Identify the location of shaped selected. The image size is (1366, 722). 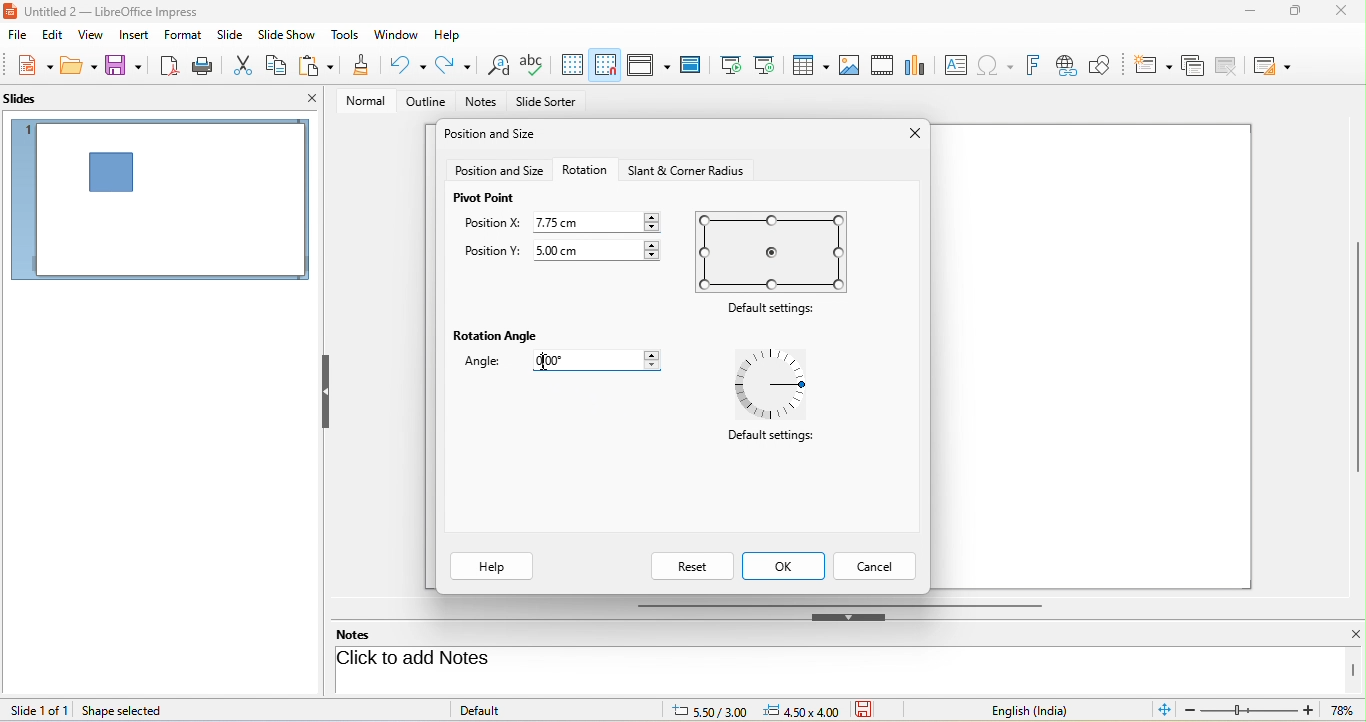
(130, 710).